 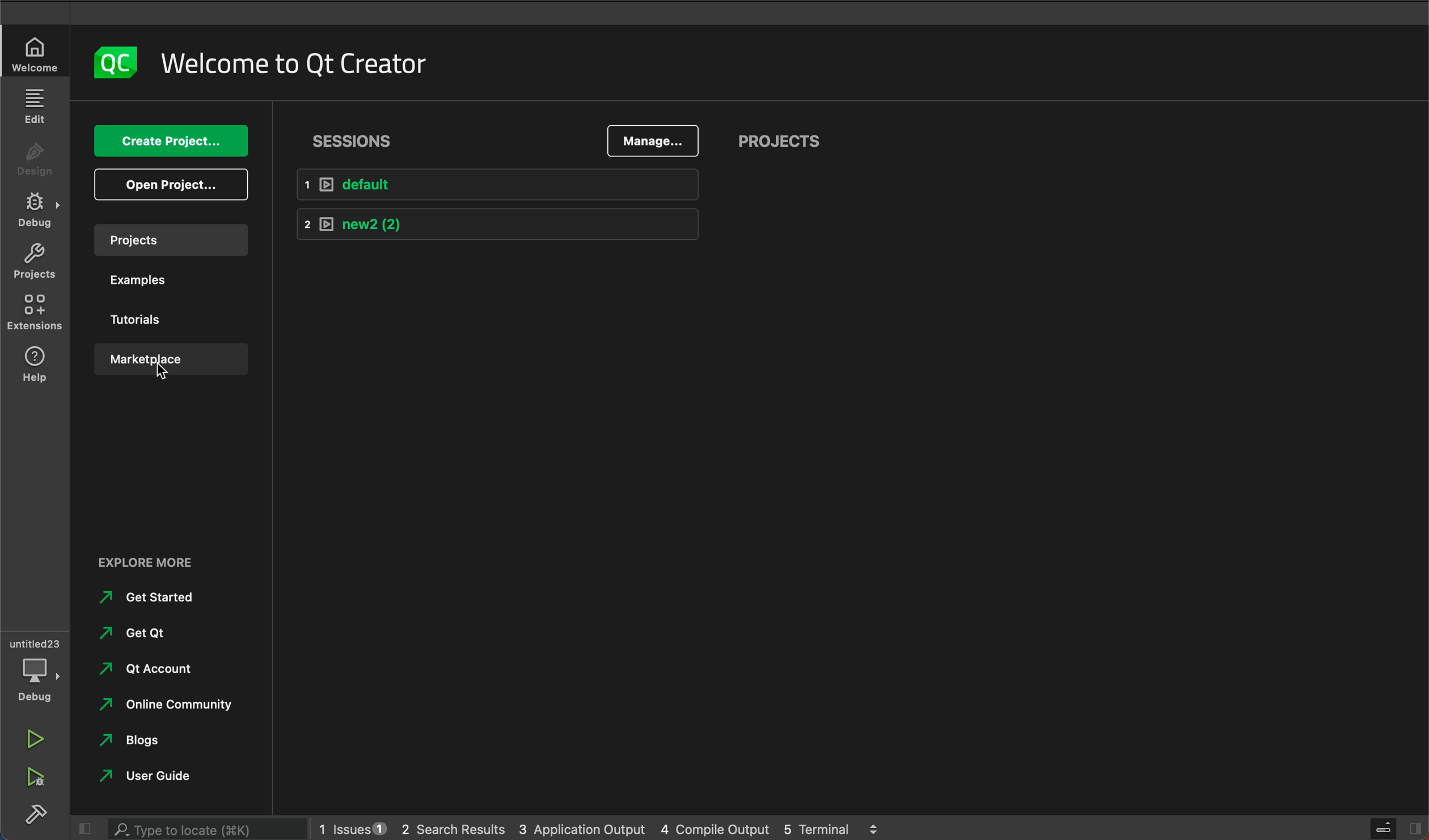 I want to click on , so click(x=152, y=597).